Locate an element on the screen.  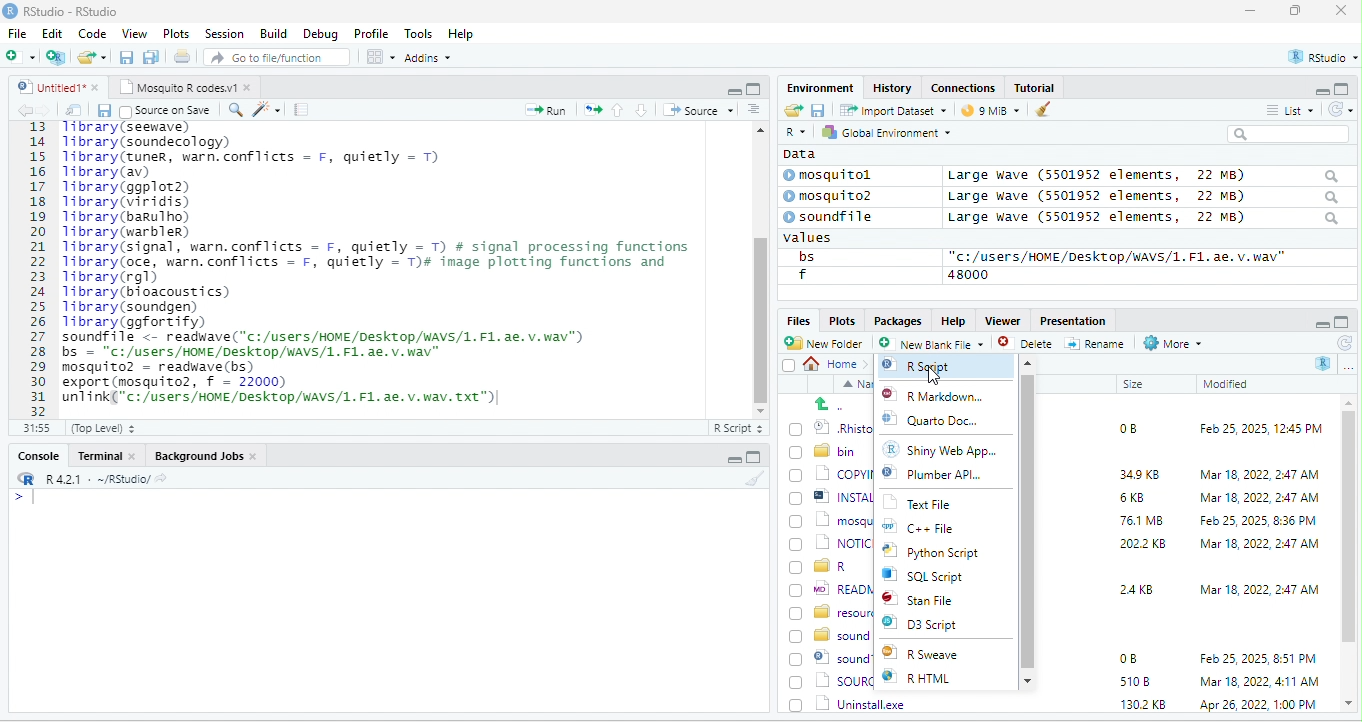
new project is located at coordinates (57, 57).